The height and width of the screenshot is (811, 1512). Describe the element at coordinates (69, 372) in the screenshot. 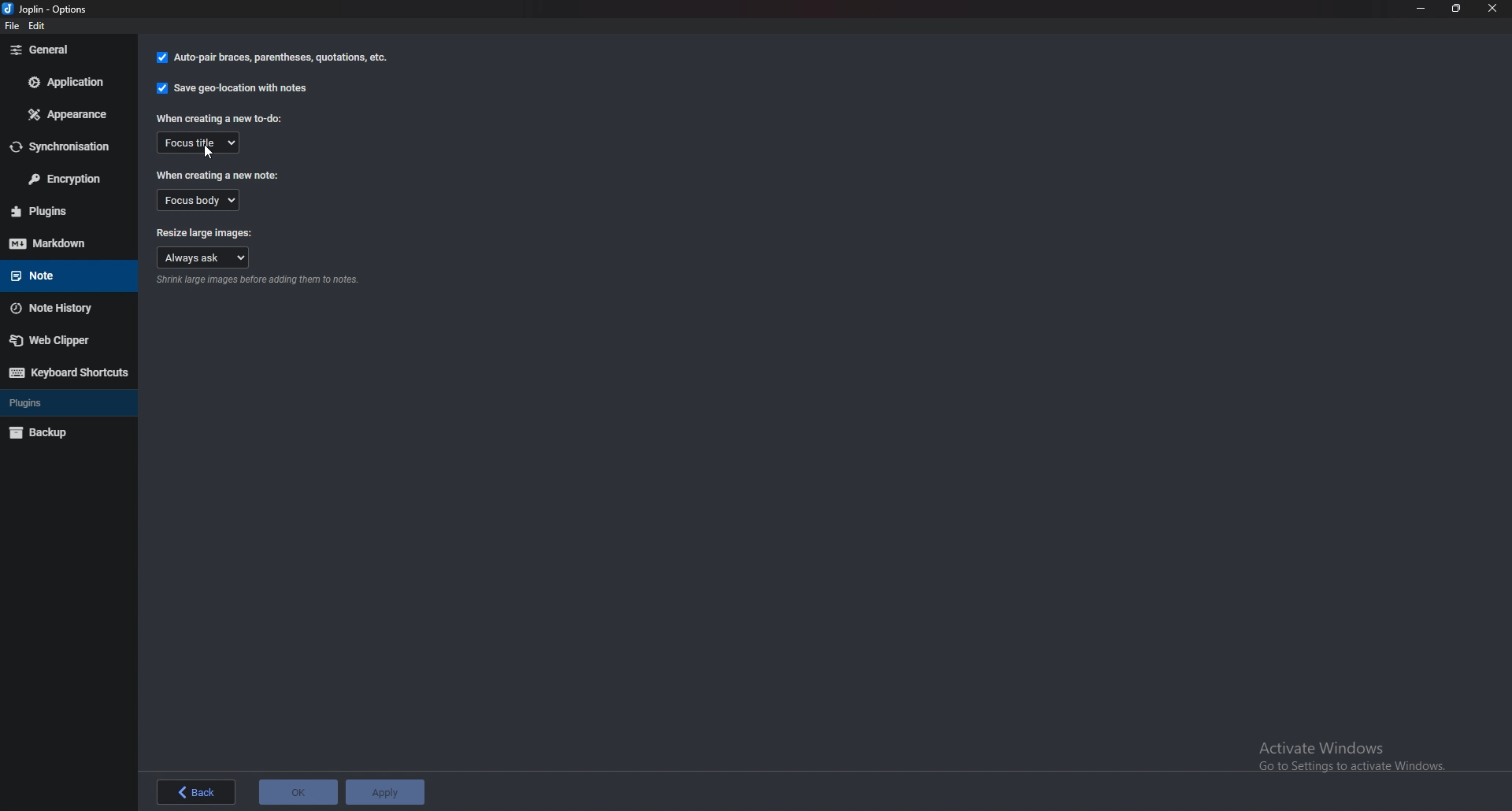

I see `Keyboard shortcuts` at that location.